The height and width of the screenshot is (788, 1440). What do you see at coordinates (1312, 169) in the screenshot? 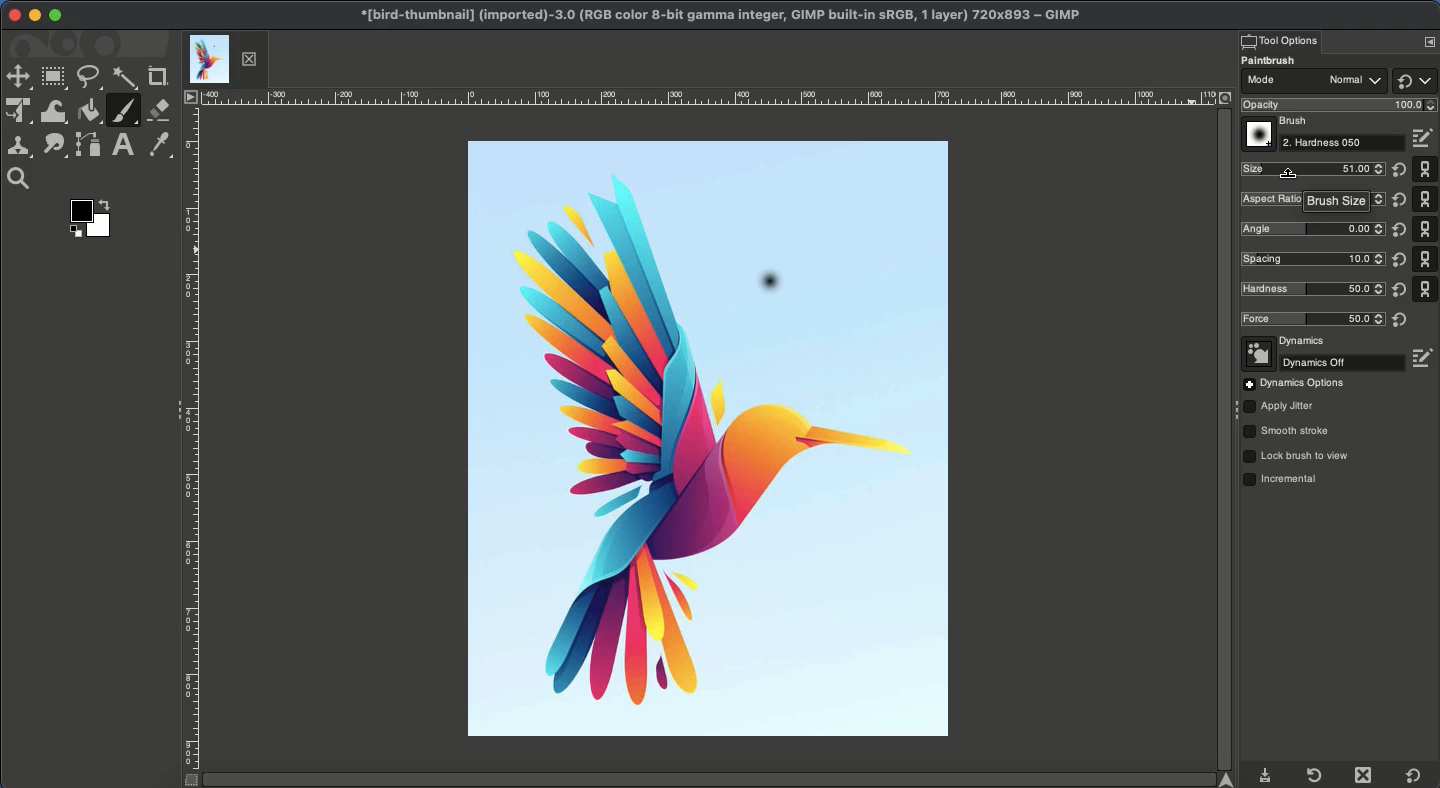
I see `Size` at bounding box center [1312, 169].